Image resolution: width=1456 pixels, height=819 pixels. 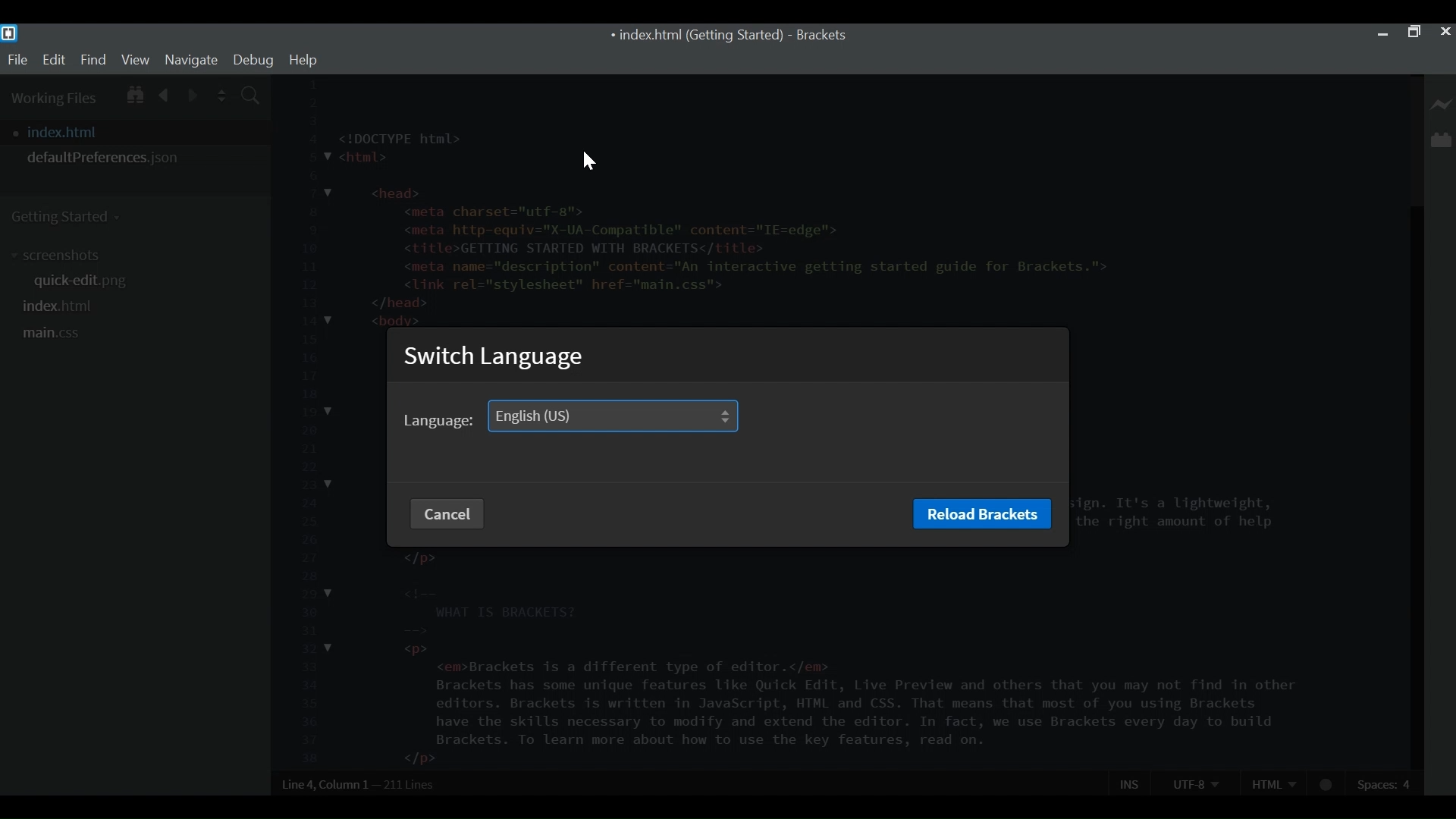 I want to click on Debug, so click(x=253, y=60).